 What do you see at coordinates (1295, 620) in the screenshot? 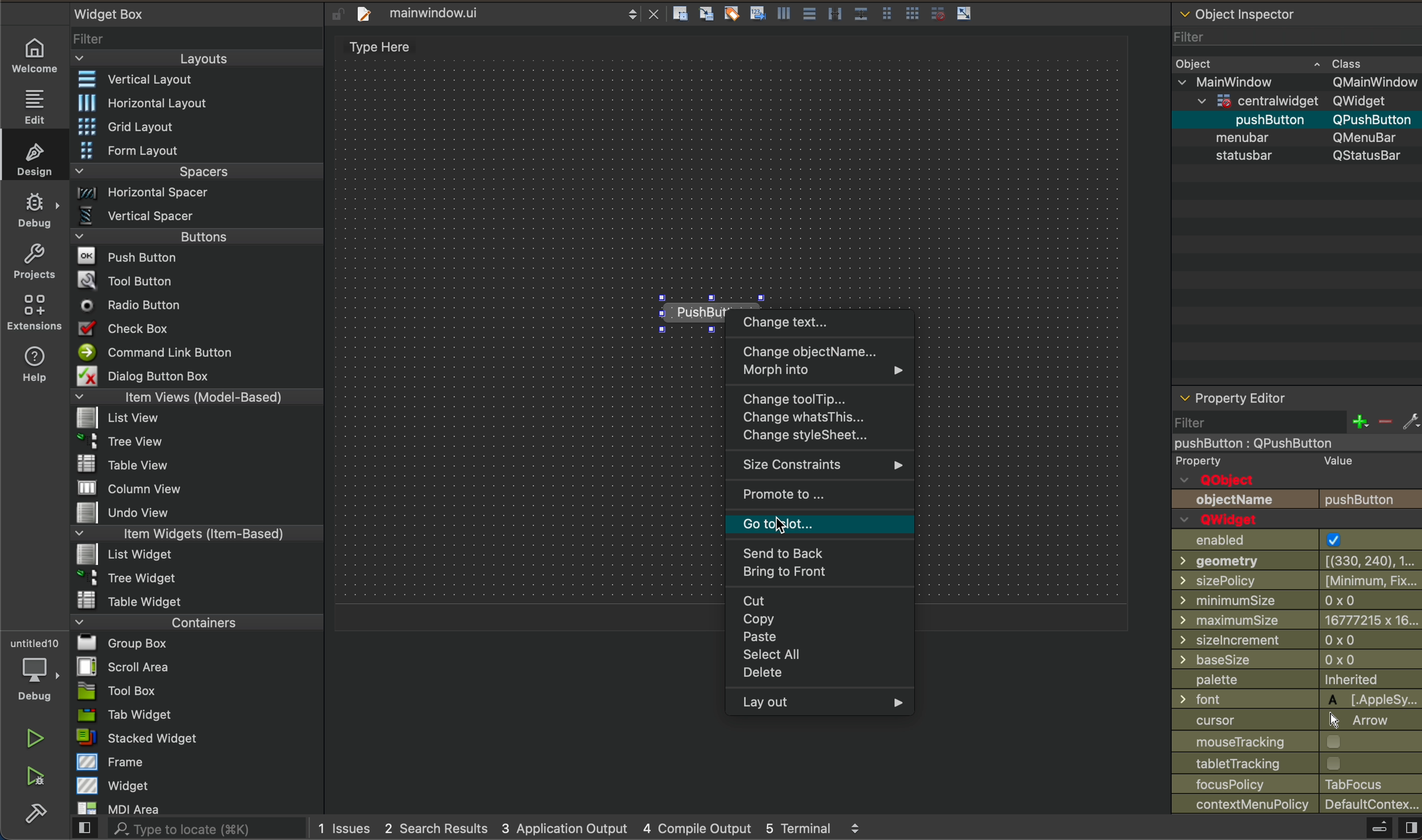
I see `` at bounding box center [1295, 620].